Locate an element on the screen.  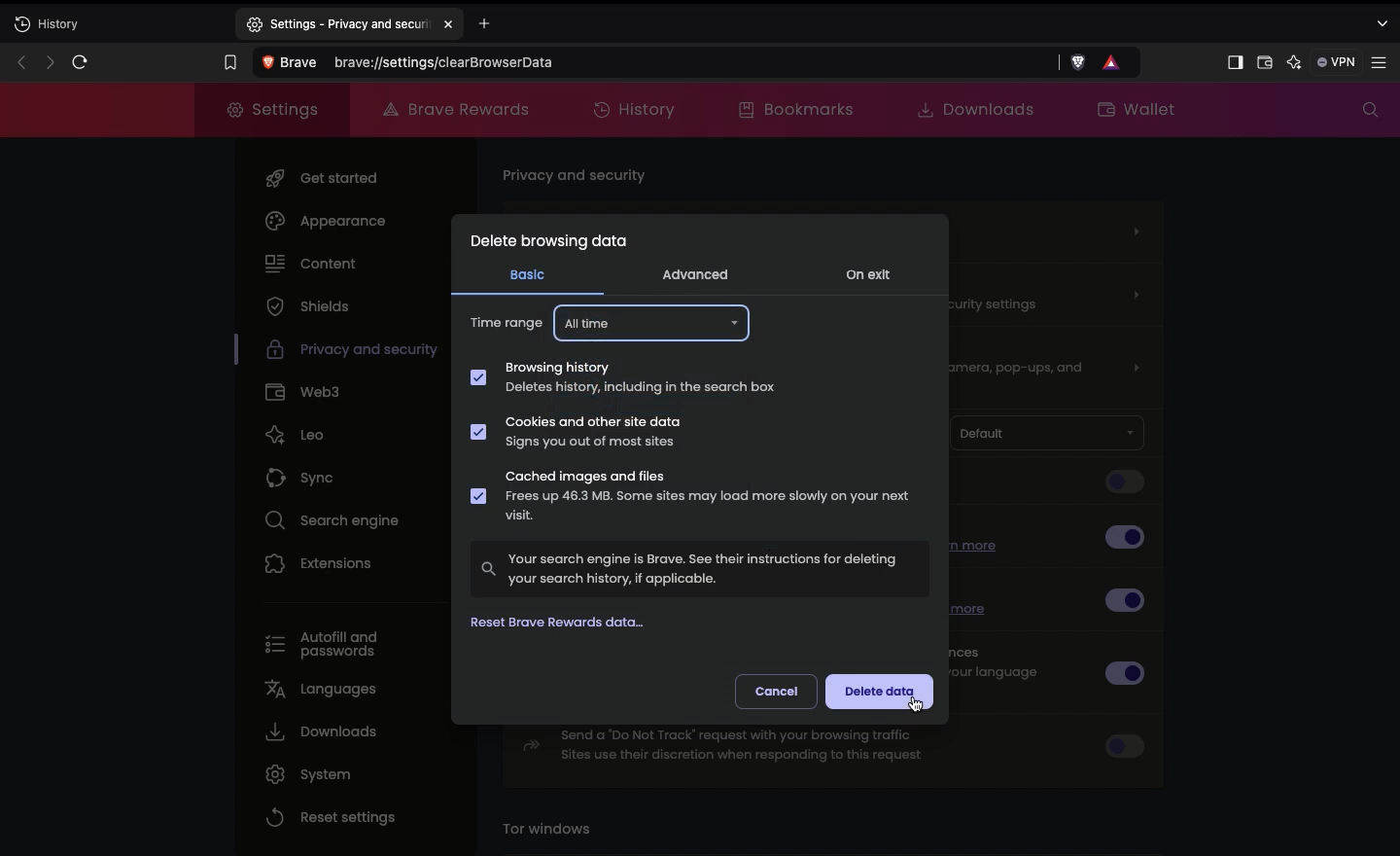
Appearance is located at coordinates (333, 224).